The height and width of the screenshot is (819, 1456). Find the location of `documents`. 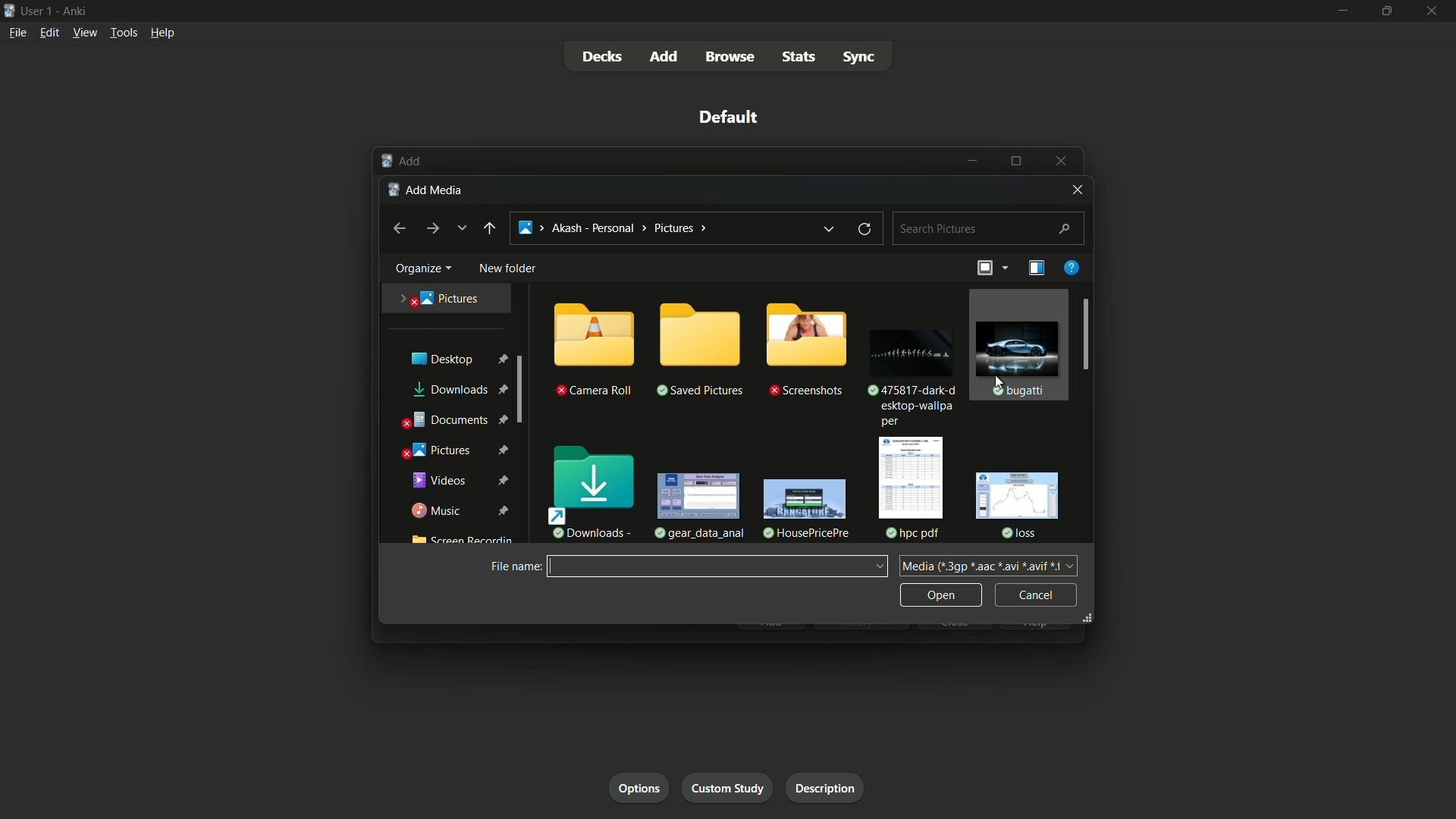

documents is located at coordinates (453, 421).